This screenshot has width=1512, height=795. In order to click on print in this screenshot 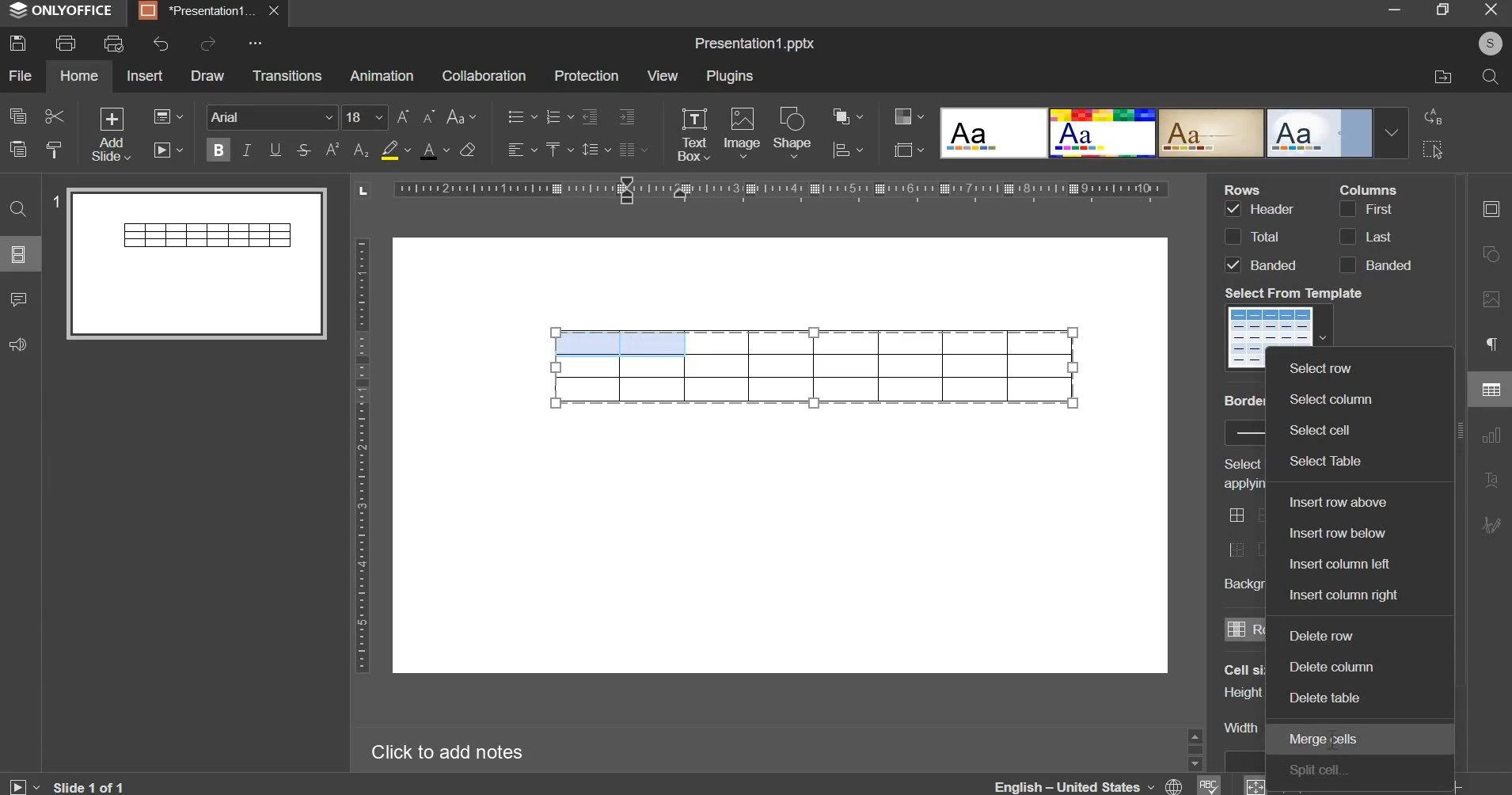, I will do `click(66, 43)`.